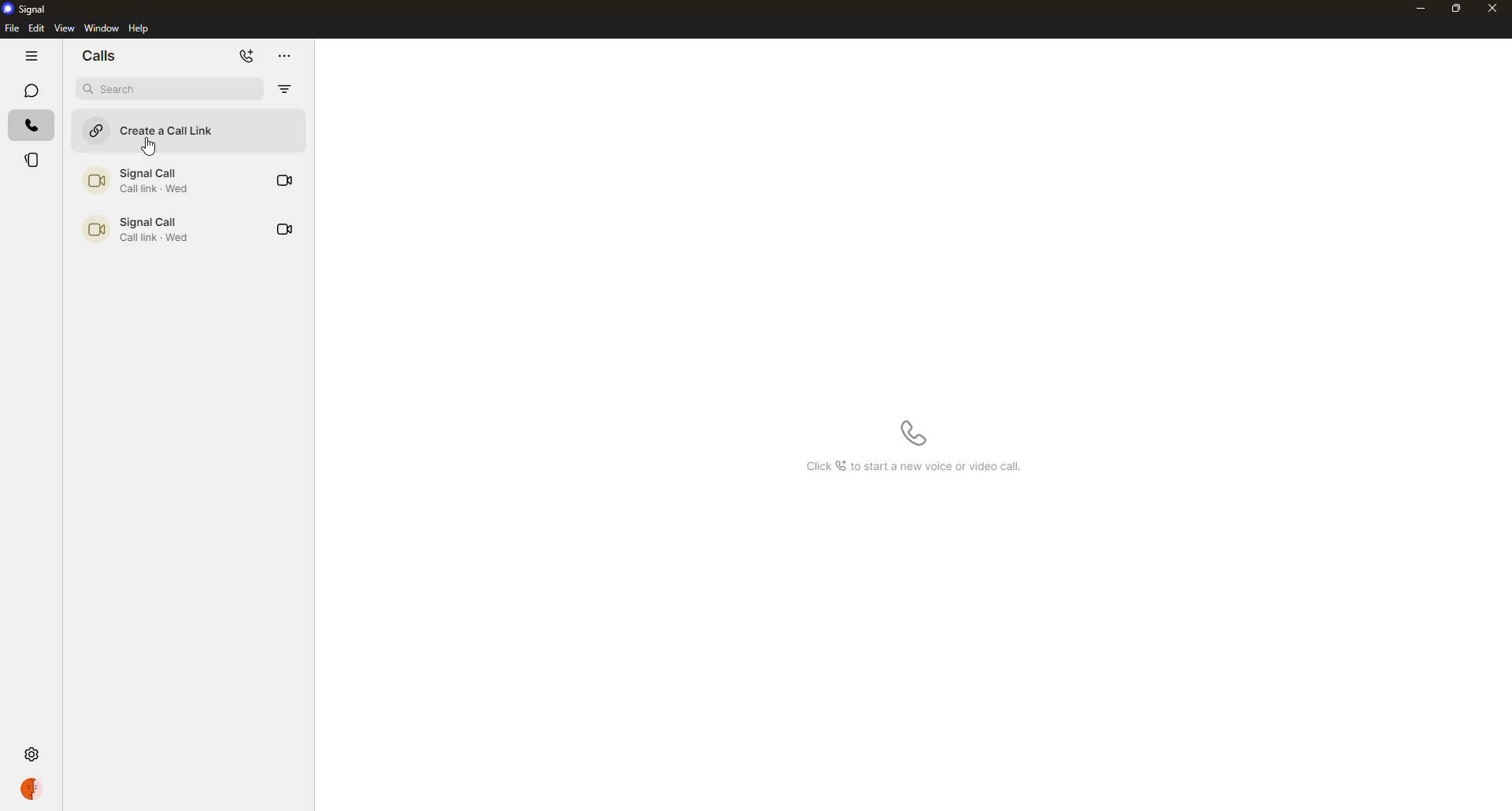 Image resolution: width=1512 pixels, height=811 pixels. Describe the element at coordinates (27, 9) in the screenshot. I see `signal` at that location.